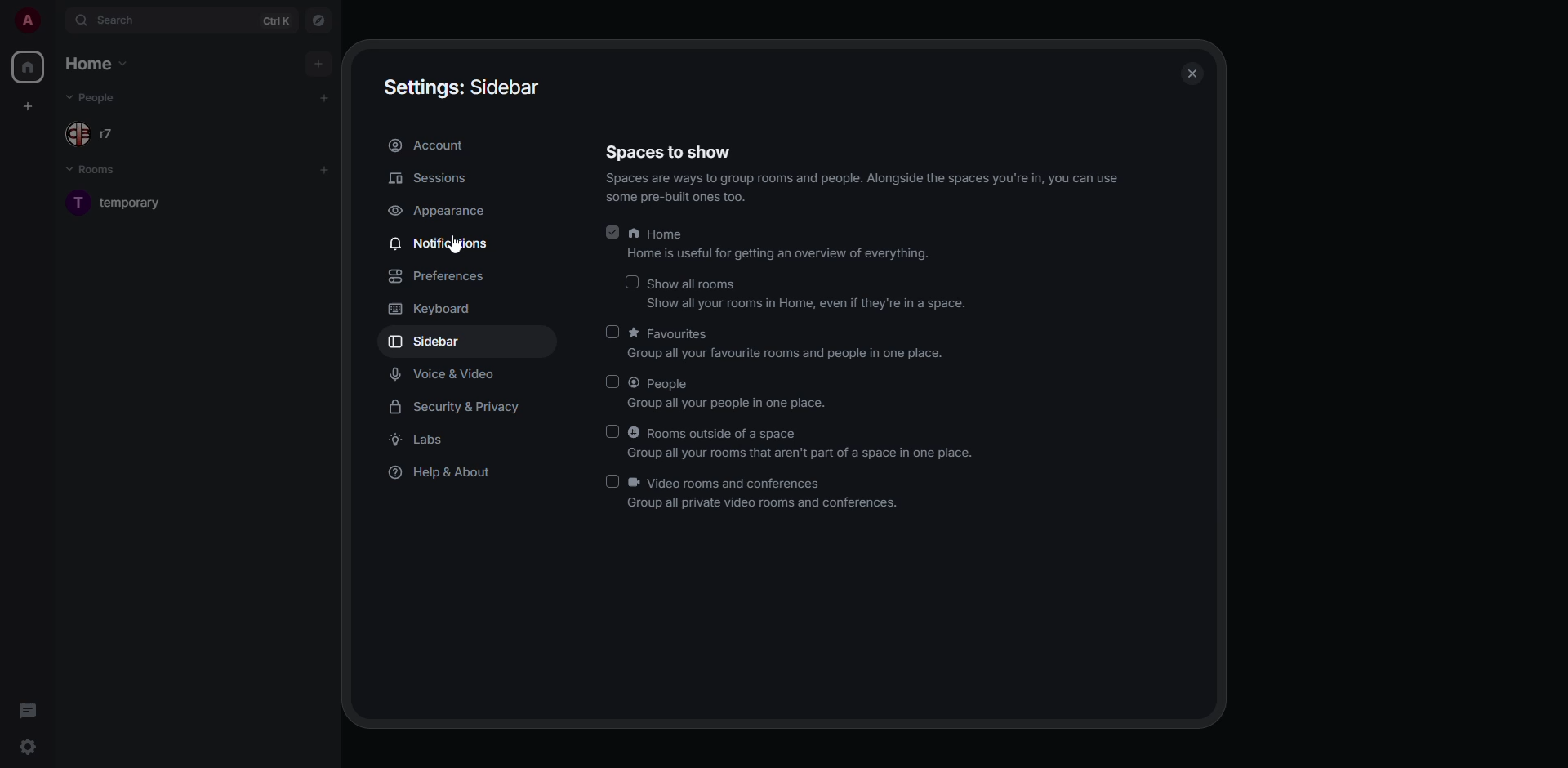 The width and height of the screenshot is (1568, 768). I want to click on create space, so click(28, 107).